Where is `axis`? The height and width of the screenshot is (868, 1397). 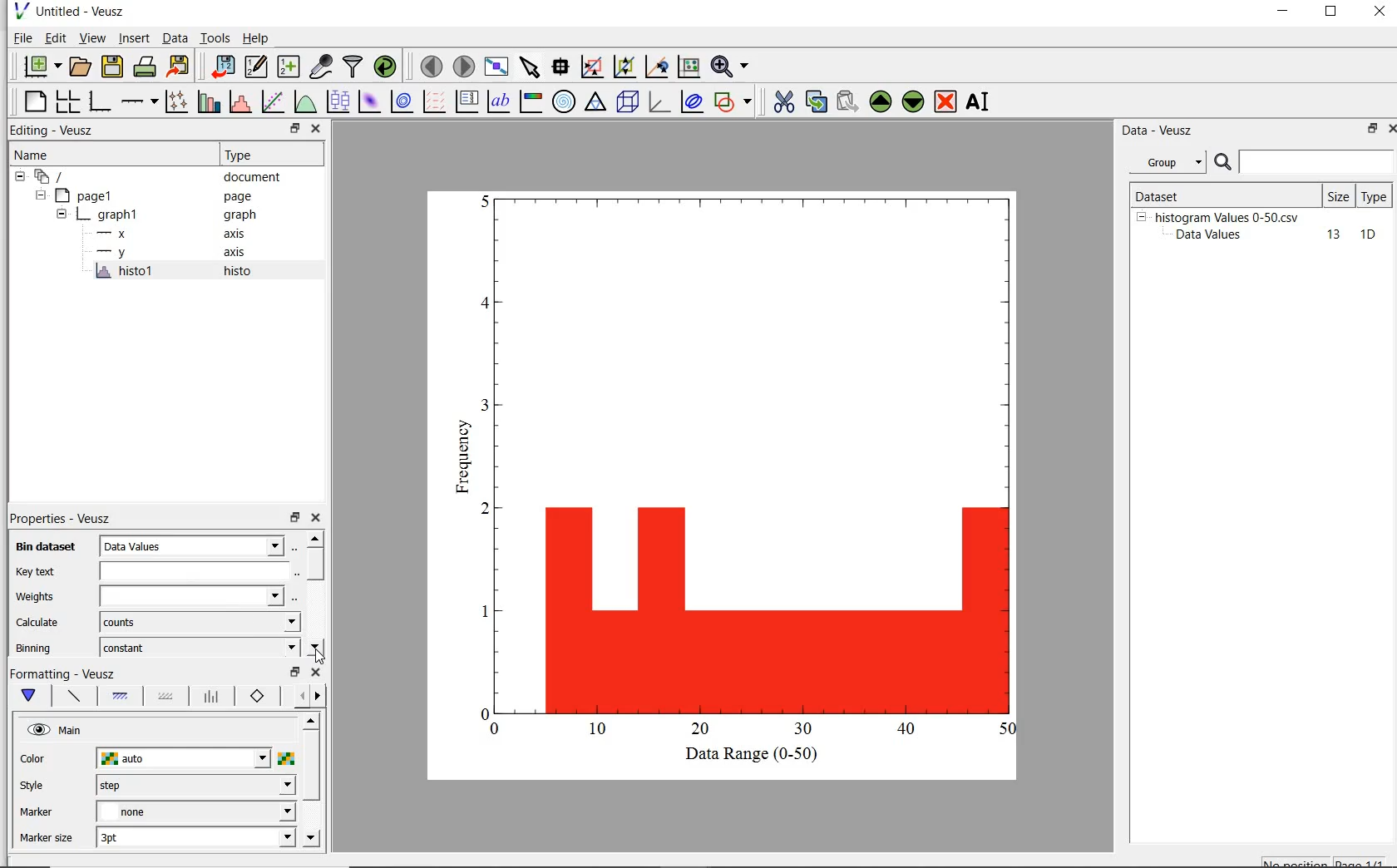
axis is located at coordinates (241, 234).